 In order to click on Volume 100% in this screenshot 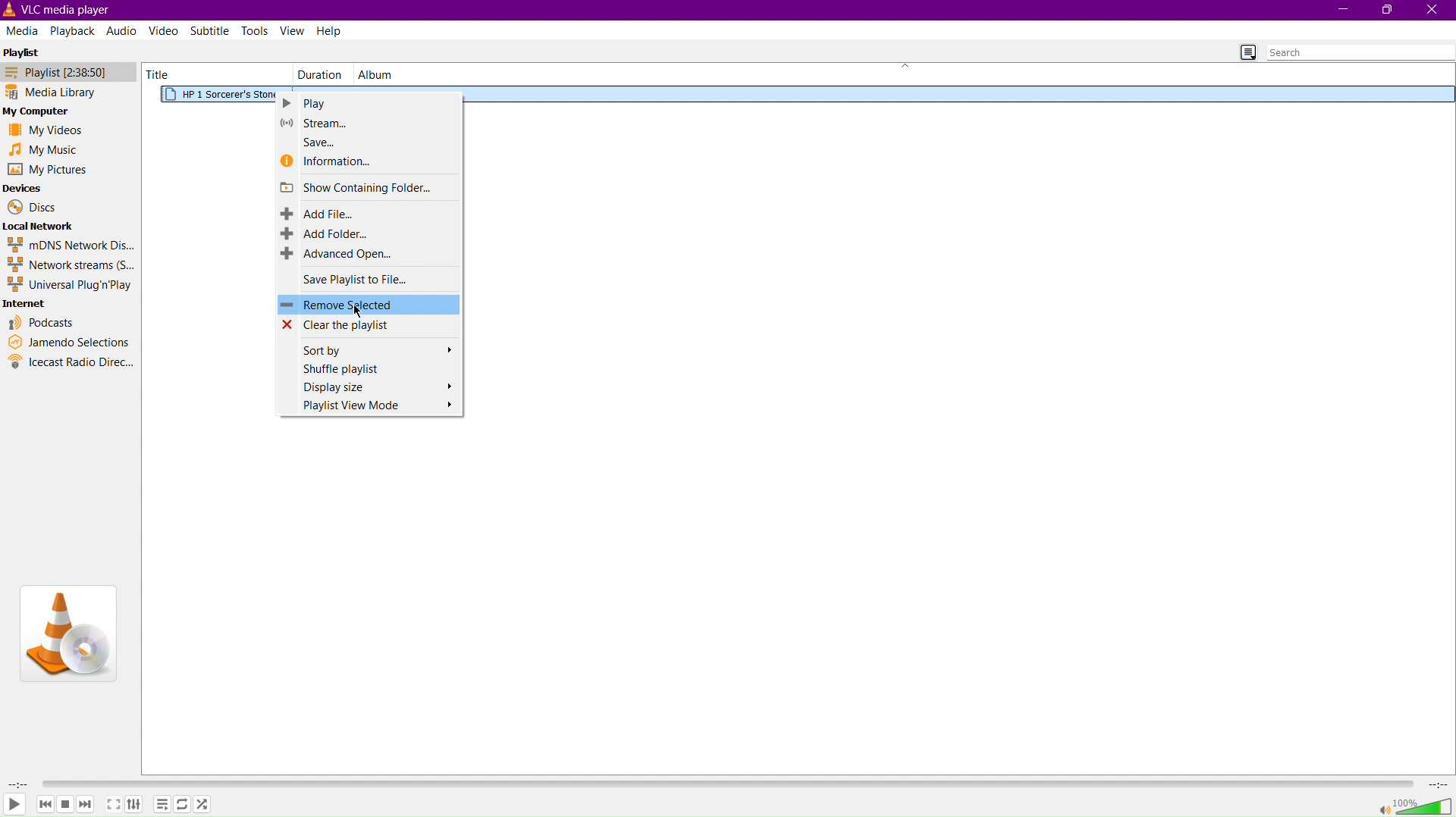, I will do `click(1416, 804)`.